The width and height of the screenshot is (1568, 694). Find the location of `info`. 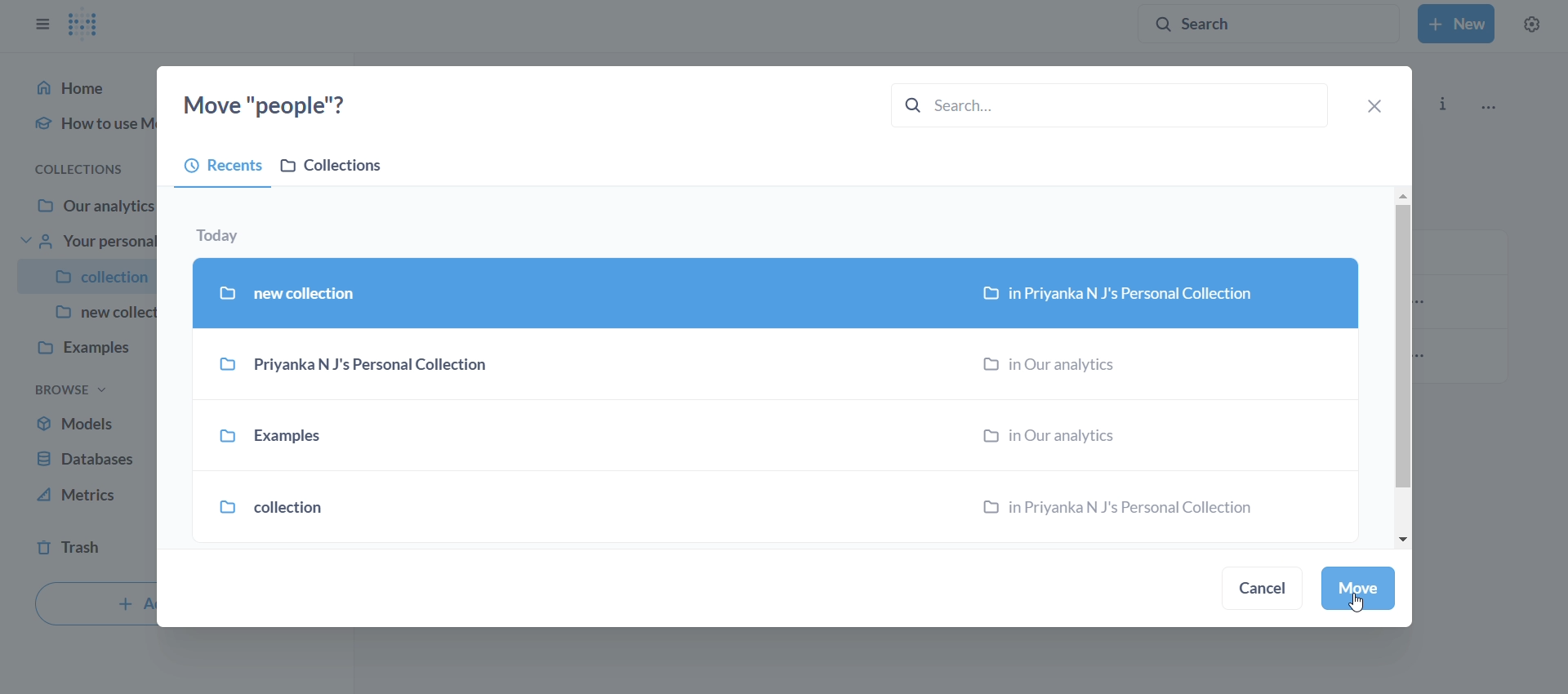

info is located at coordinates (1441, 104).